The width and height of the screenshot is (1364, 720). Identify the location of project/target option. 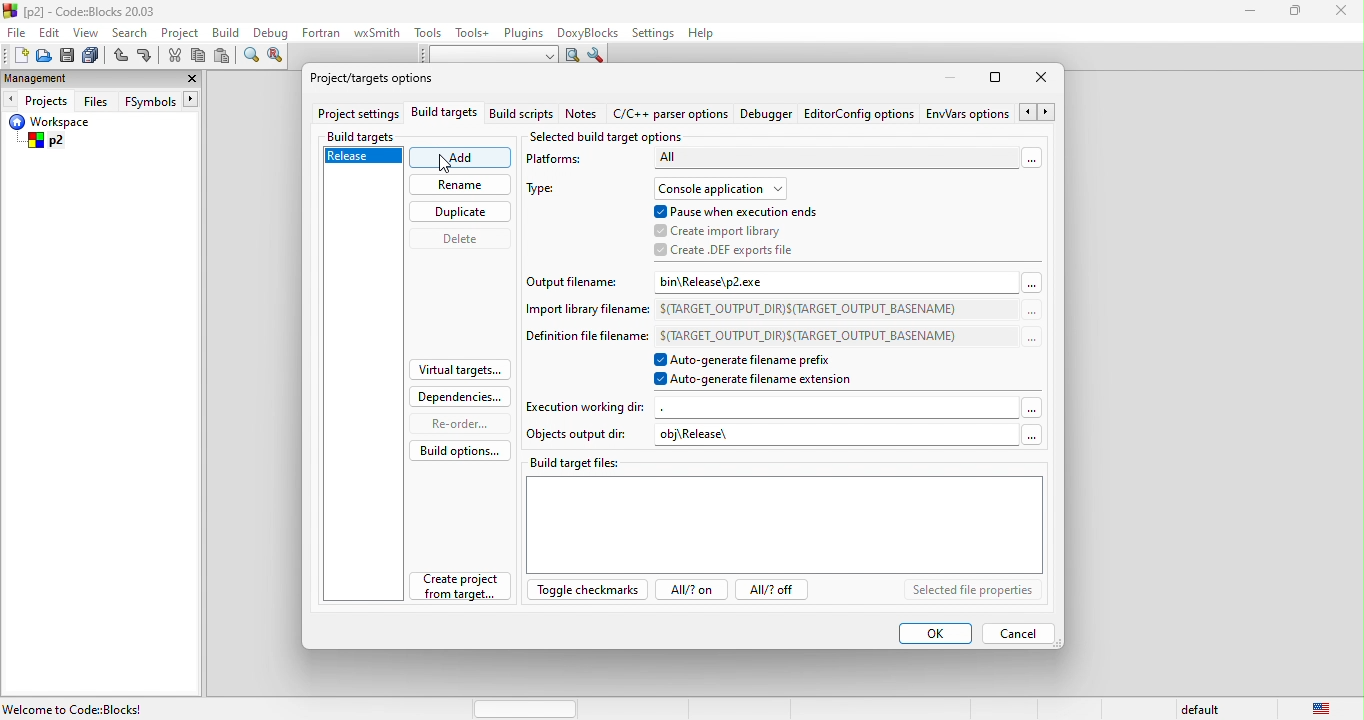
(378, 76).